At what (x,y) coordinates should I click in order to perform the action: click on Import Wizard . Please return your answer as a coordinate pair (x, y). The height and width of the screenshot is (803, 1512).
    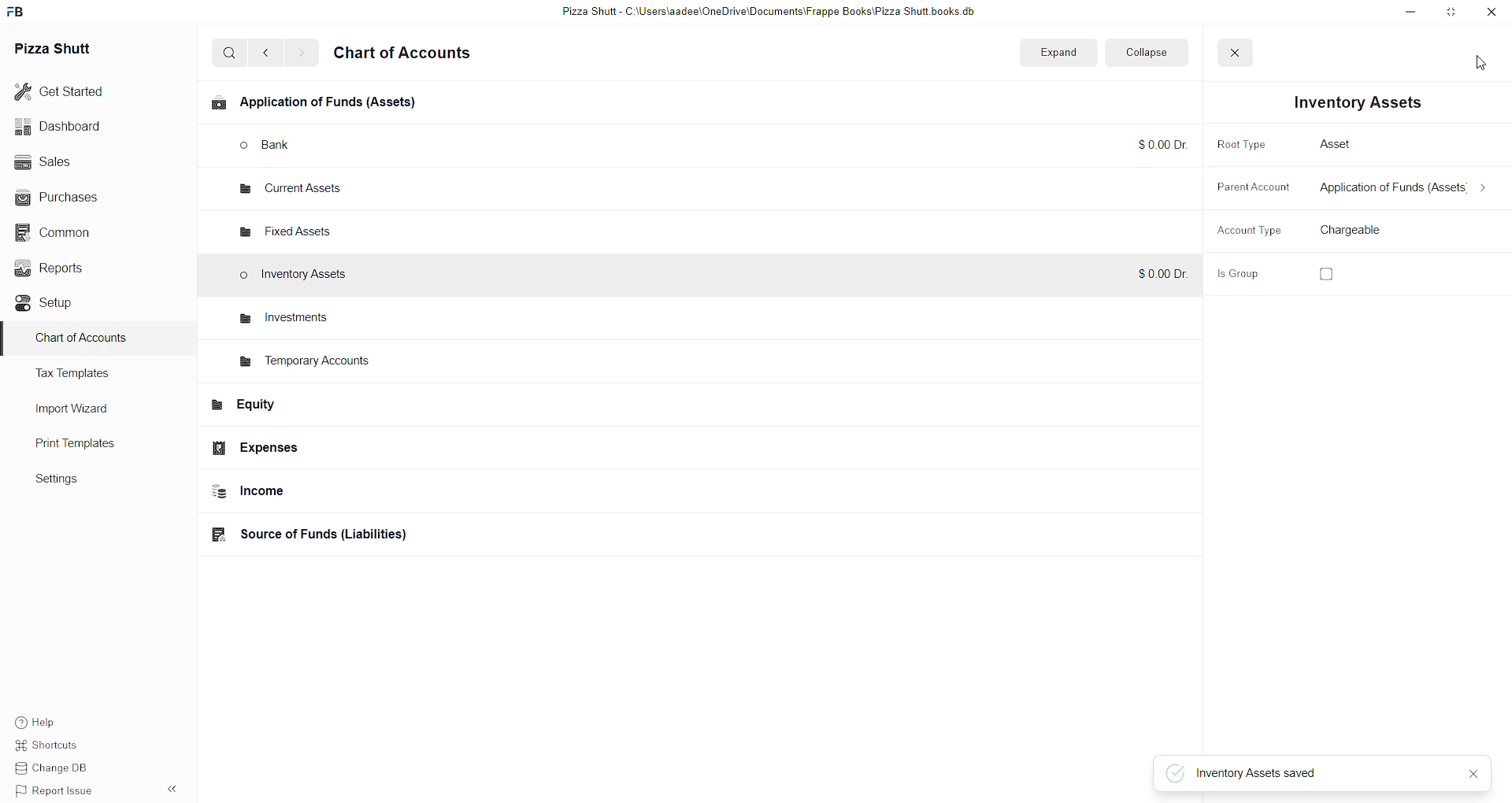
    Looking at the image, I should click on (81, 409).